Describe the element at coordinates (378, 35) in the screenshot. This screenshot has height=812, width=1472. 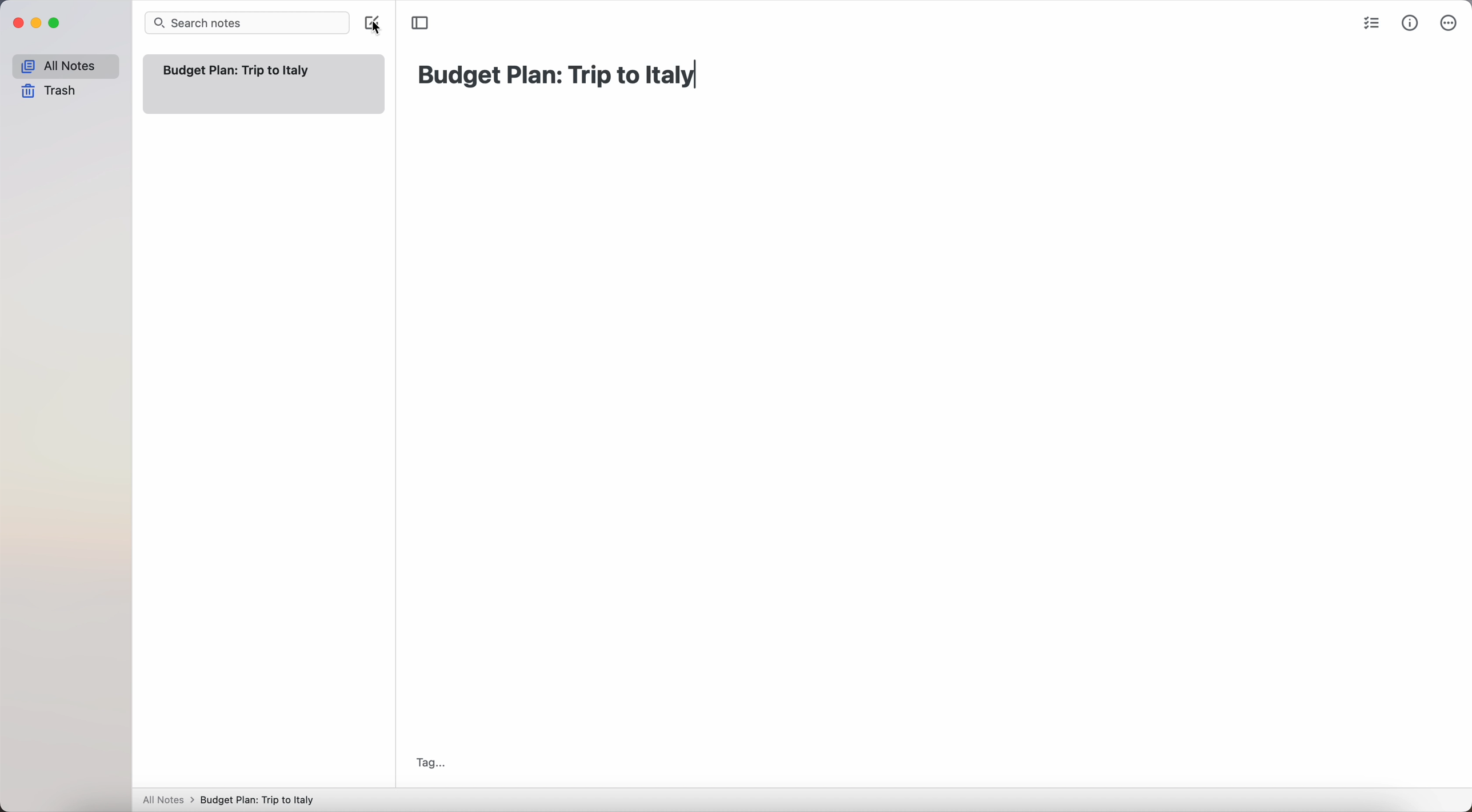
I see `cursor` at that location.